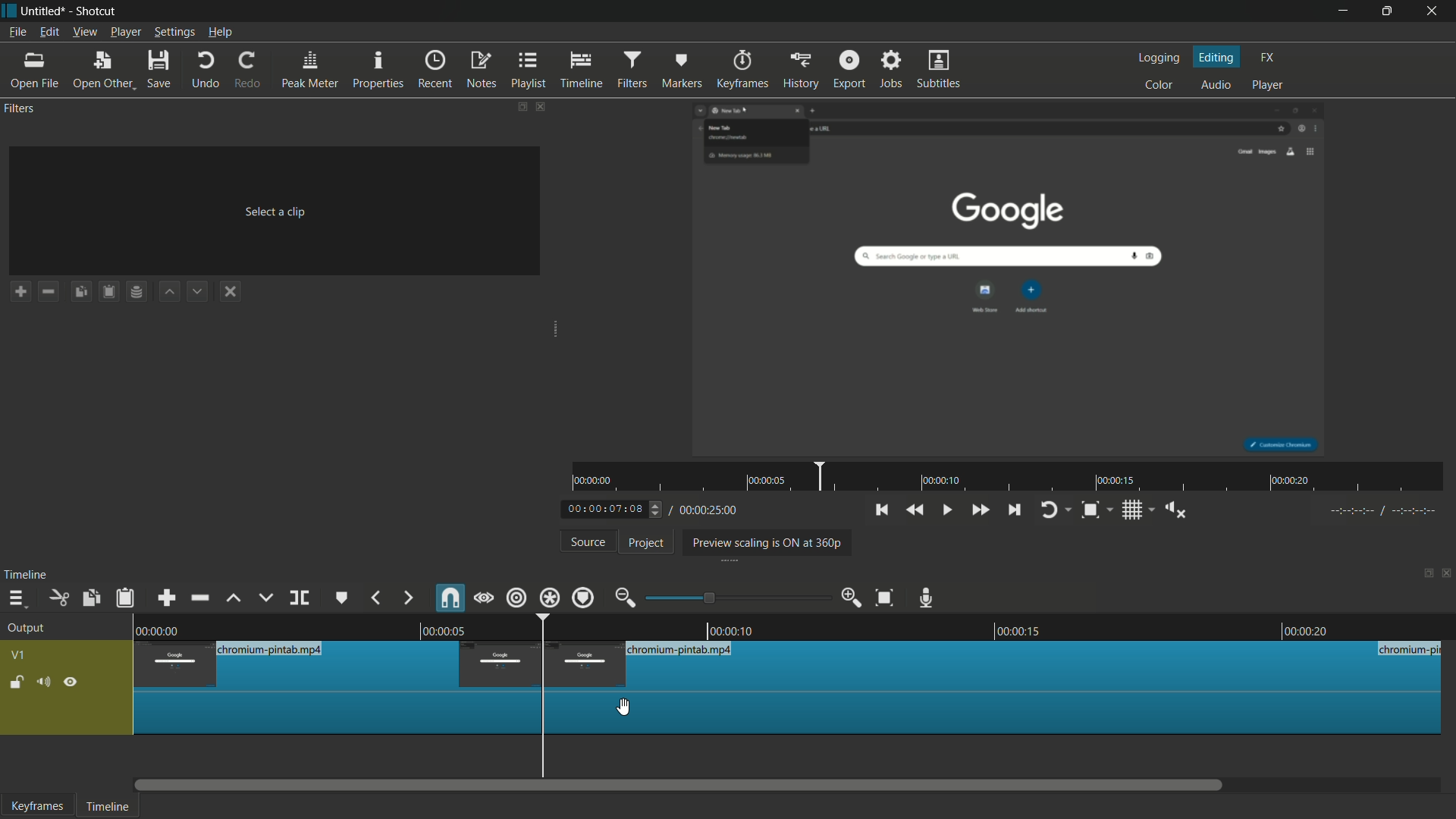  What do you see at coordinates (927, 599) in the screenshot?
I see `record audio` at bounding box center [927, 599].